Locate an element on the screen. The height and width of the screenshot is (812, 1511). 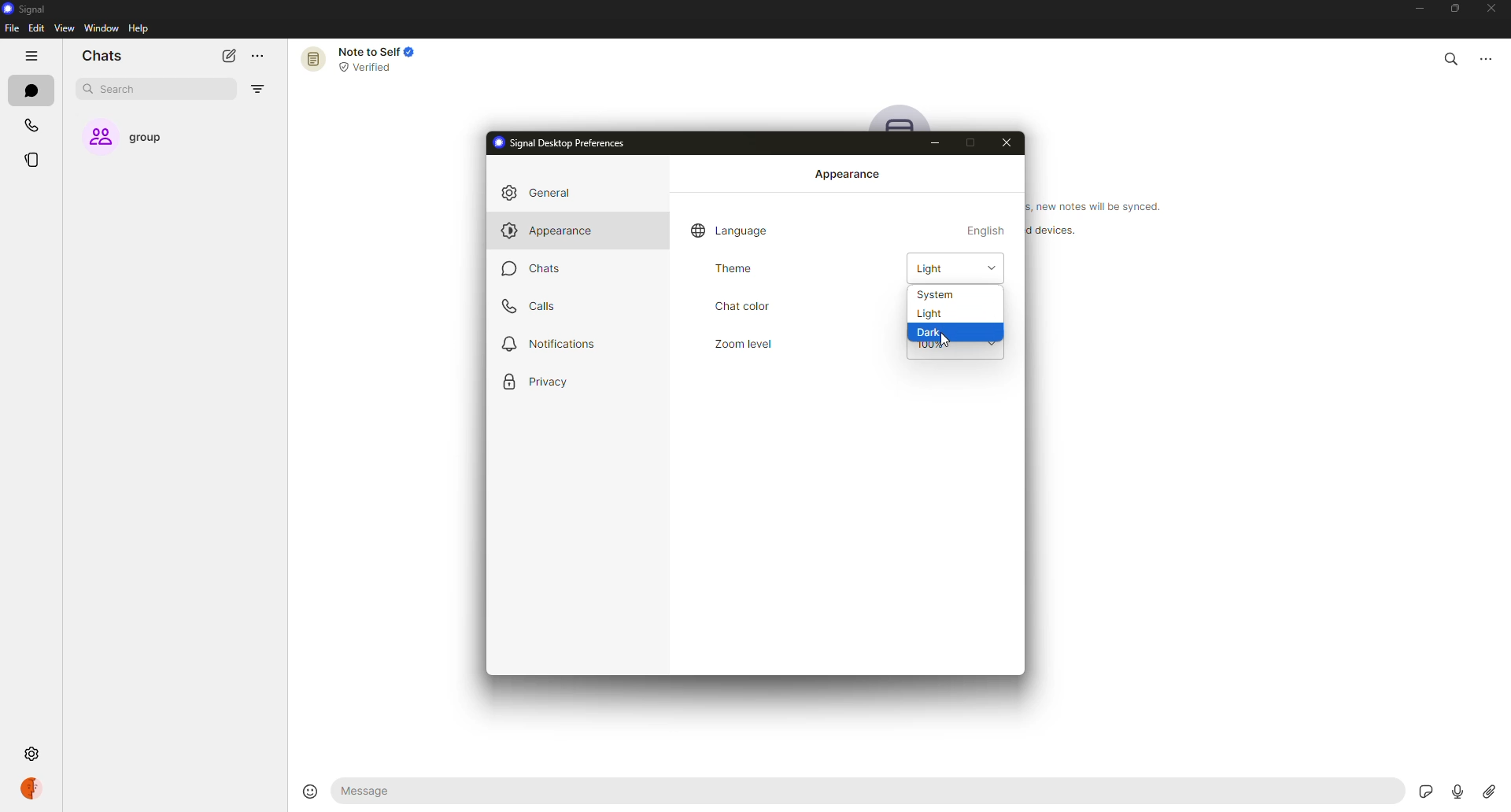
stickers is located at coordinates (1423, 791).